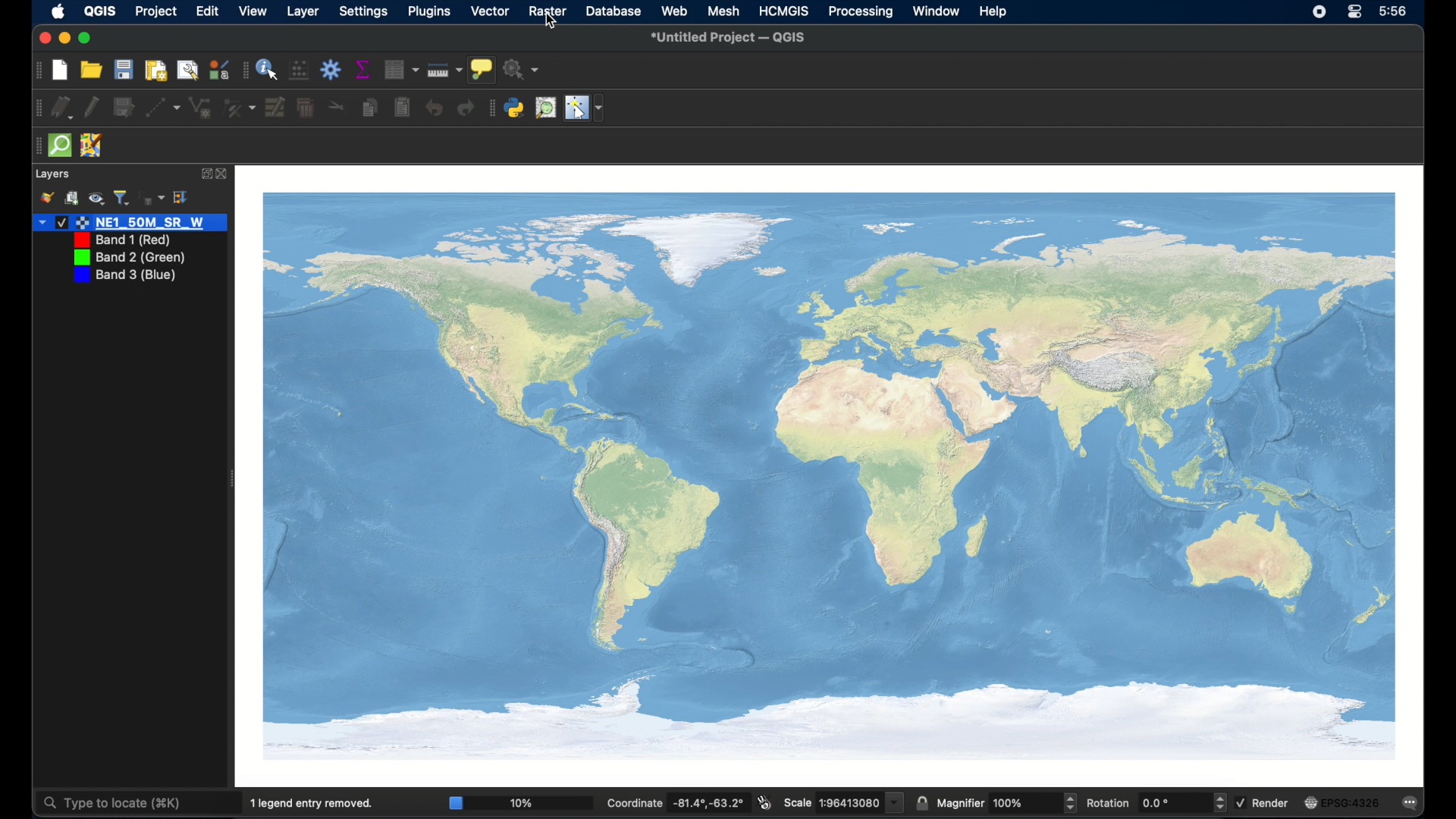 This screenshot has width=1456, height=819. Describe the element at coordinates (337, 106) in the screenshot. I see `cut` at that location.